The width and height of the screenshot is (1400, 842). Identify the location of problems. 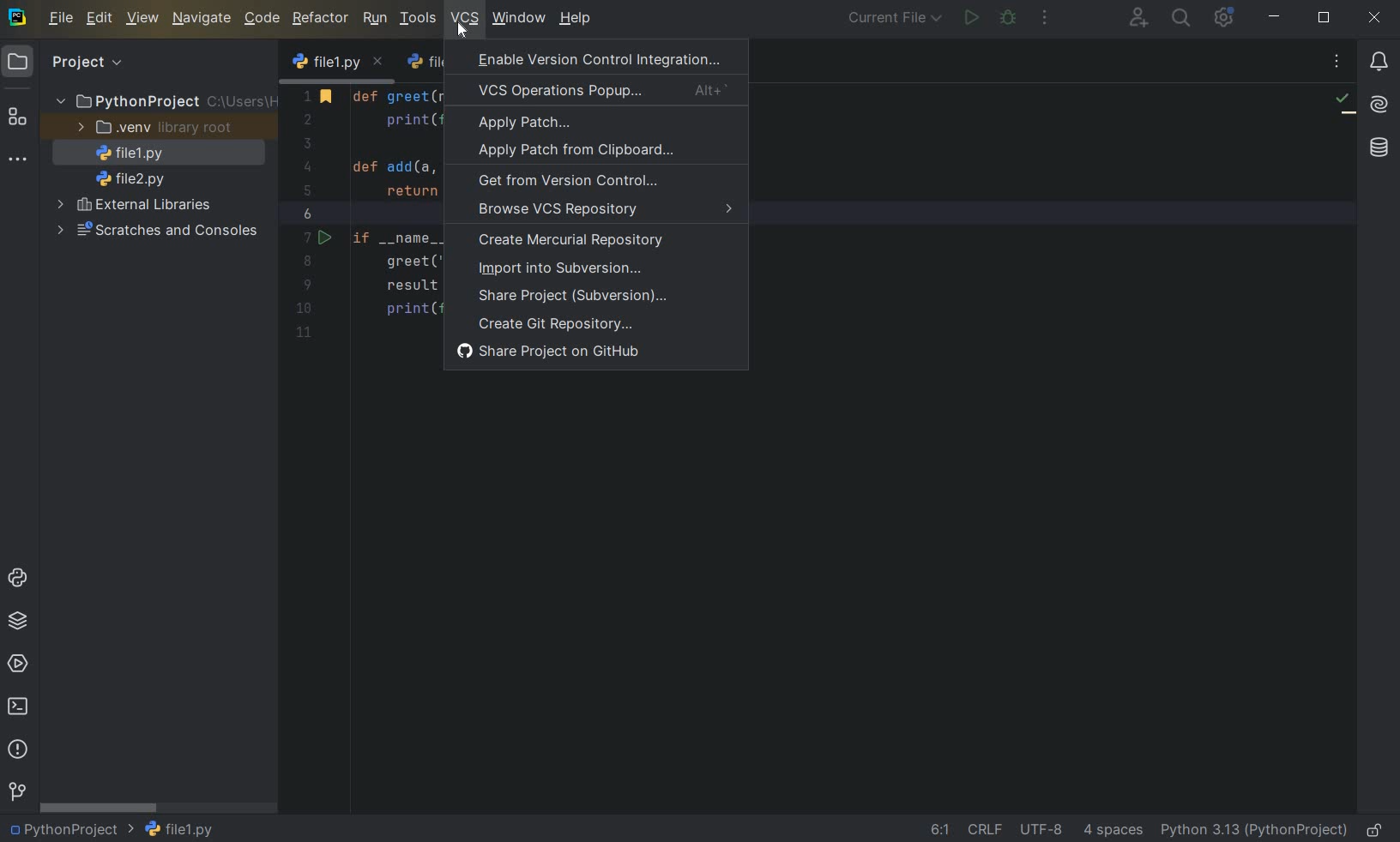
(18, 749).